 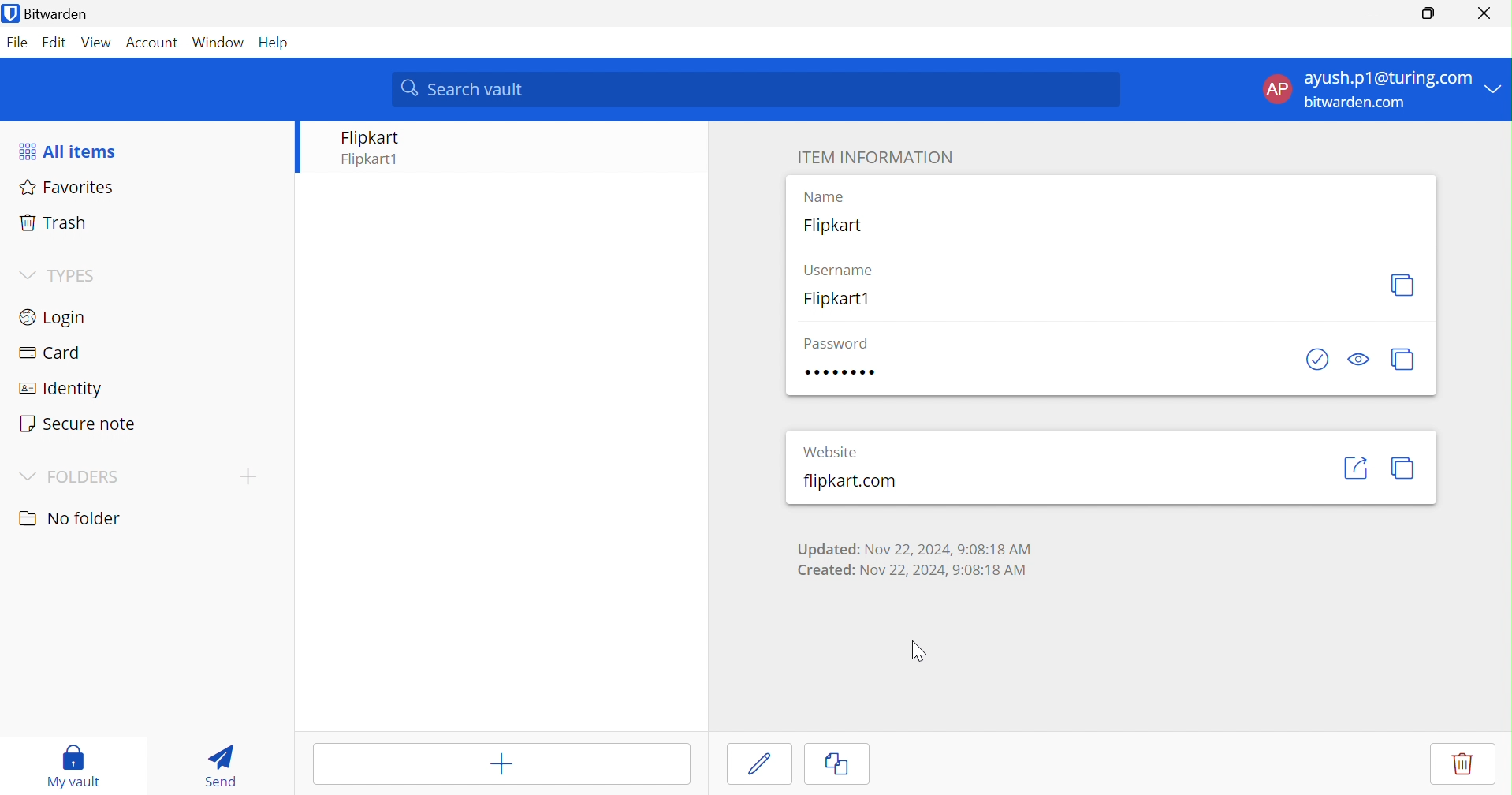 What do you see at coordinates (1356, 466) in the screenshot?
I see `Launch` at bounding box center [1356, 466].